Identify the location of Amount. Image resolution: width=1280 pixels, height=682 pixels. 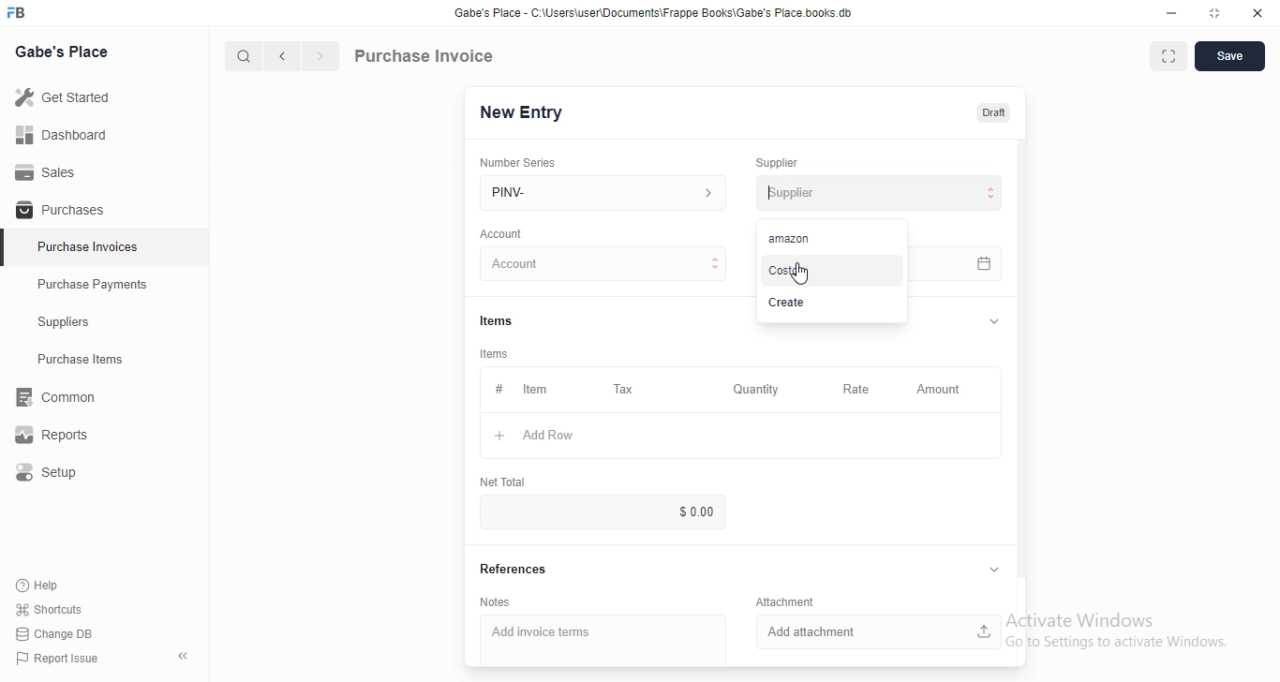
(943, 390).